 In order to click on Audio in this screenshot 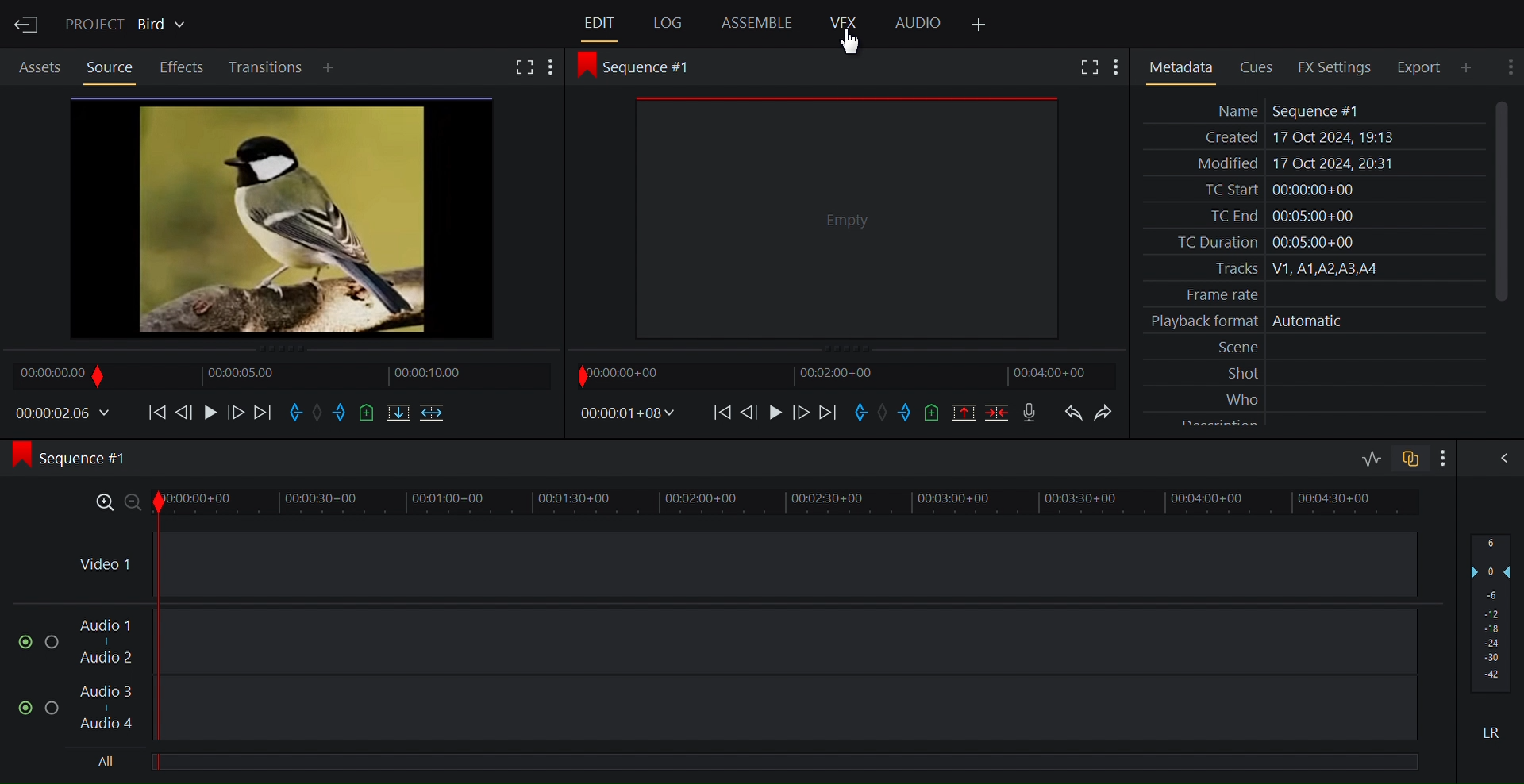, I will do `click(918, 21)`.